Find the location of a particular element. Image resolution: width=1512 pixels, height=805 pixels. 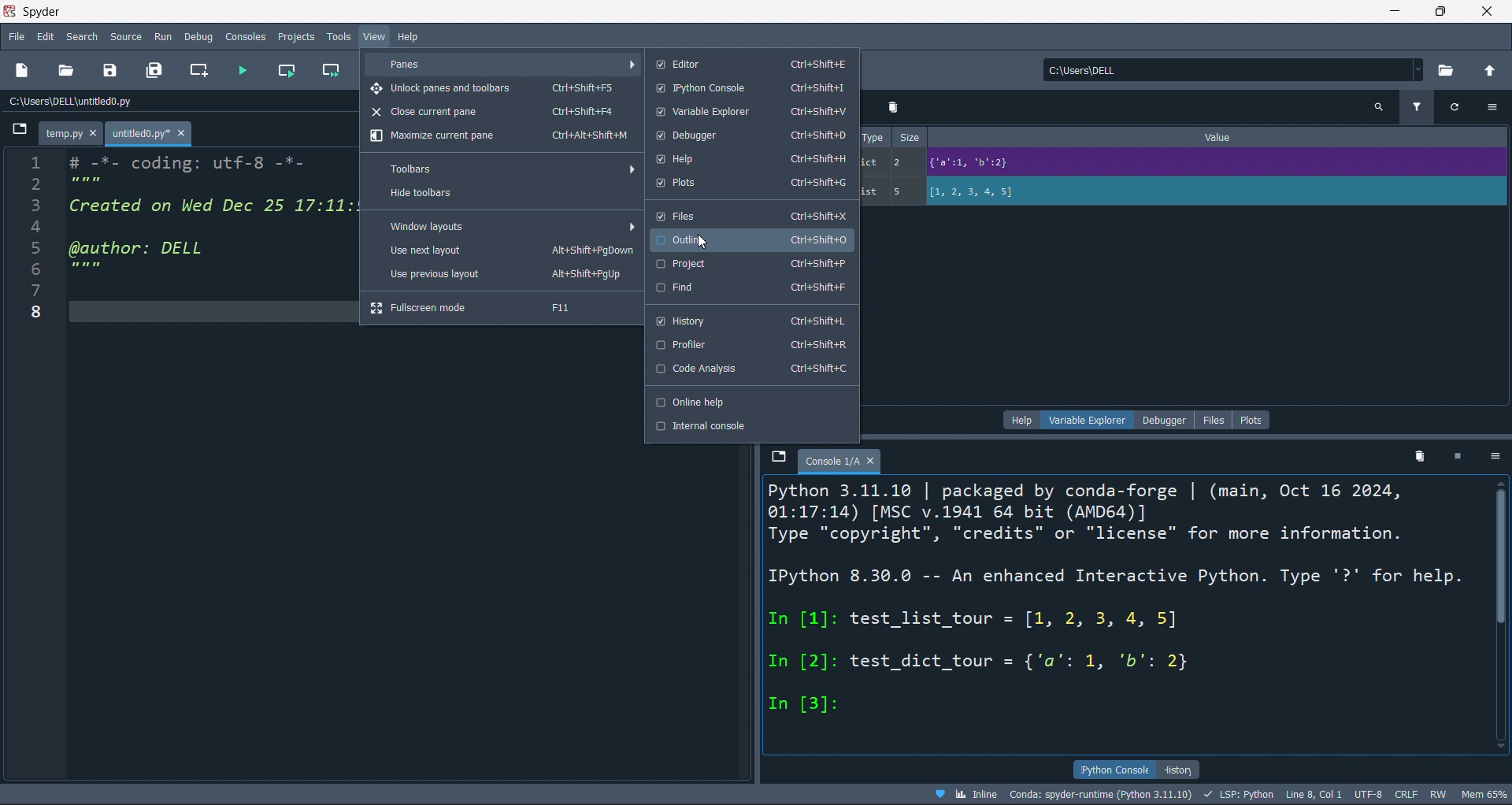

current directory is located at coordinates (1228, 70).